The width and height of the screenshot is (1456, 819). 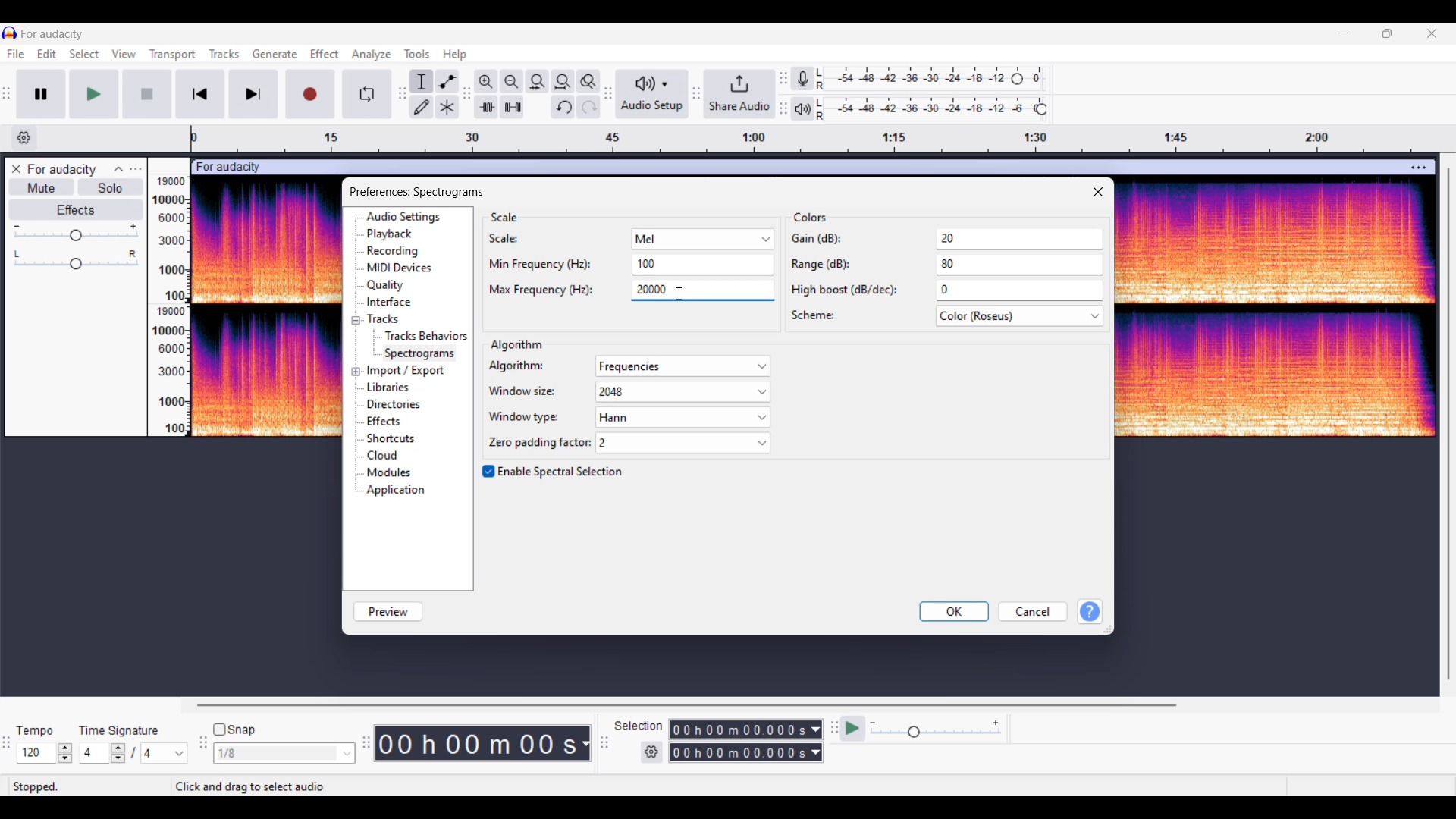 I want to click on Recording level, so click(x=930, y=79).